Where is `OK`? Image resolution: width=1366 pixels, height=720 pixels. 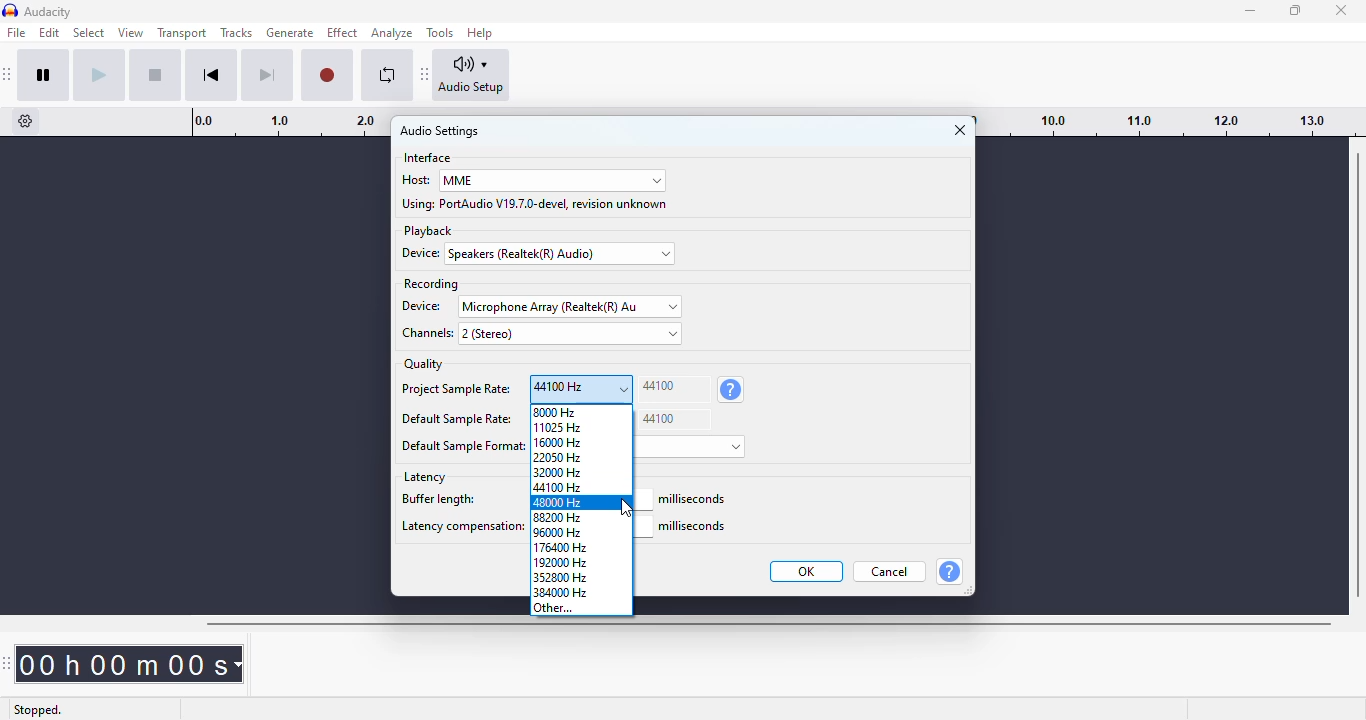 OK is located at coordinates (808, 571).